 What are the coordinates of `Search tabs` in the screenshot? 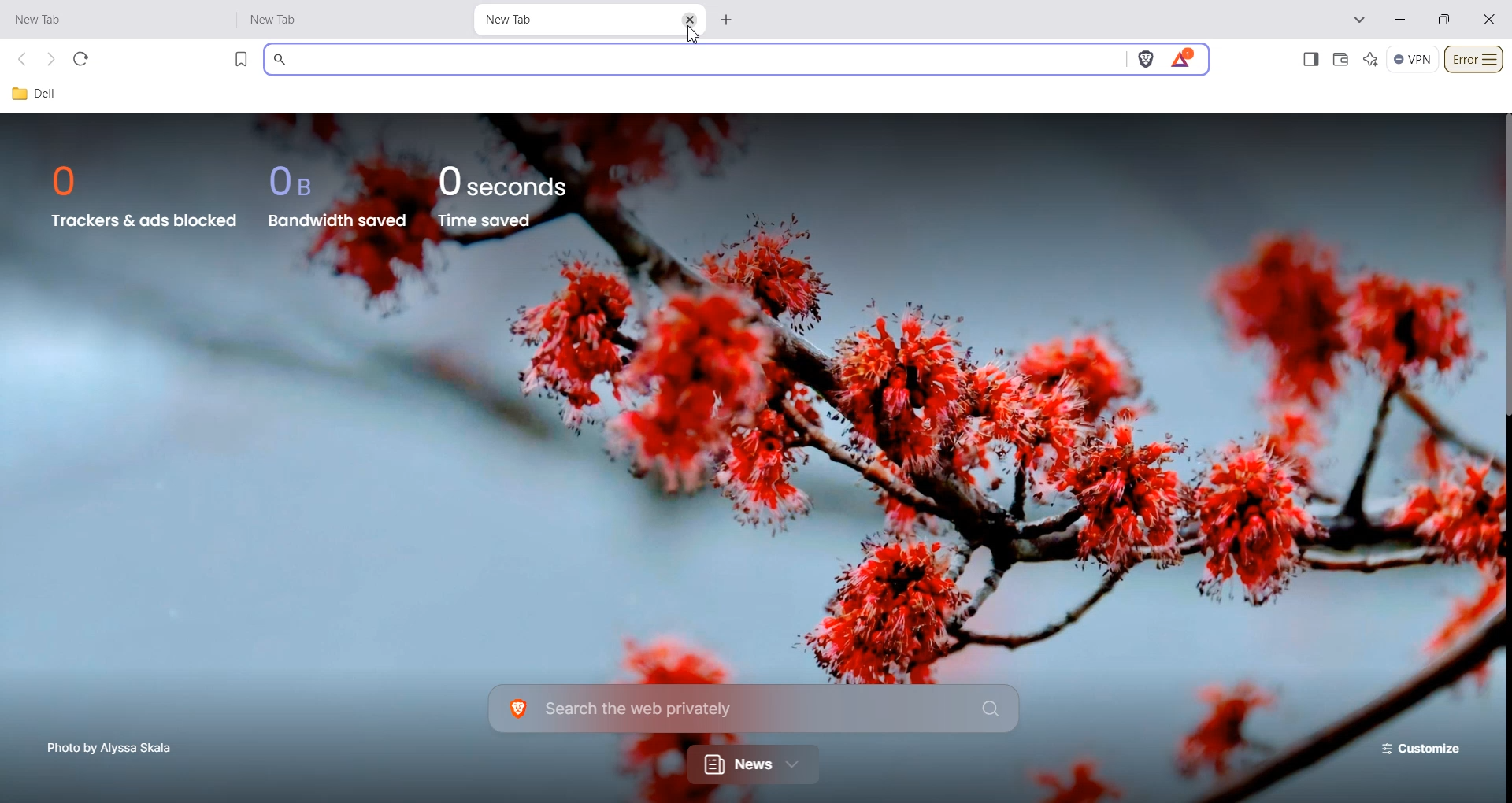 It's located at (1361, 20).